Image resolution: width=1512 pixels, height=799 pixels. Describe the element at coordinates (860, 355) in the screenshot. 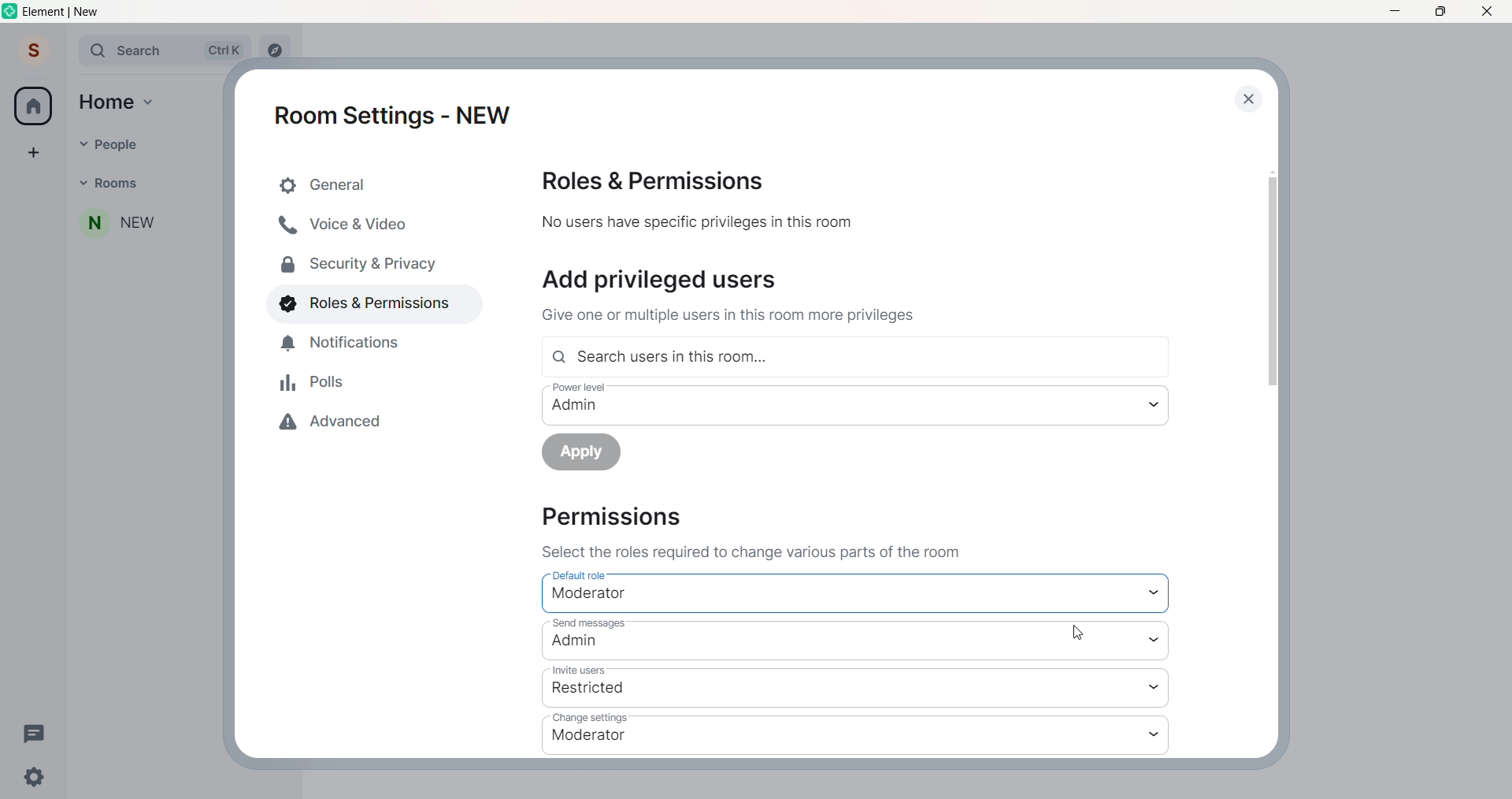

I see `search user` at that location.